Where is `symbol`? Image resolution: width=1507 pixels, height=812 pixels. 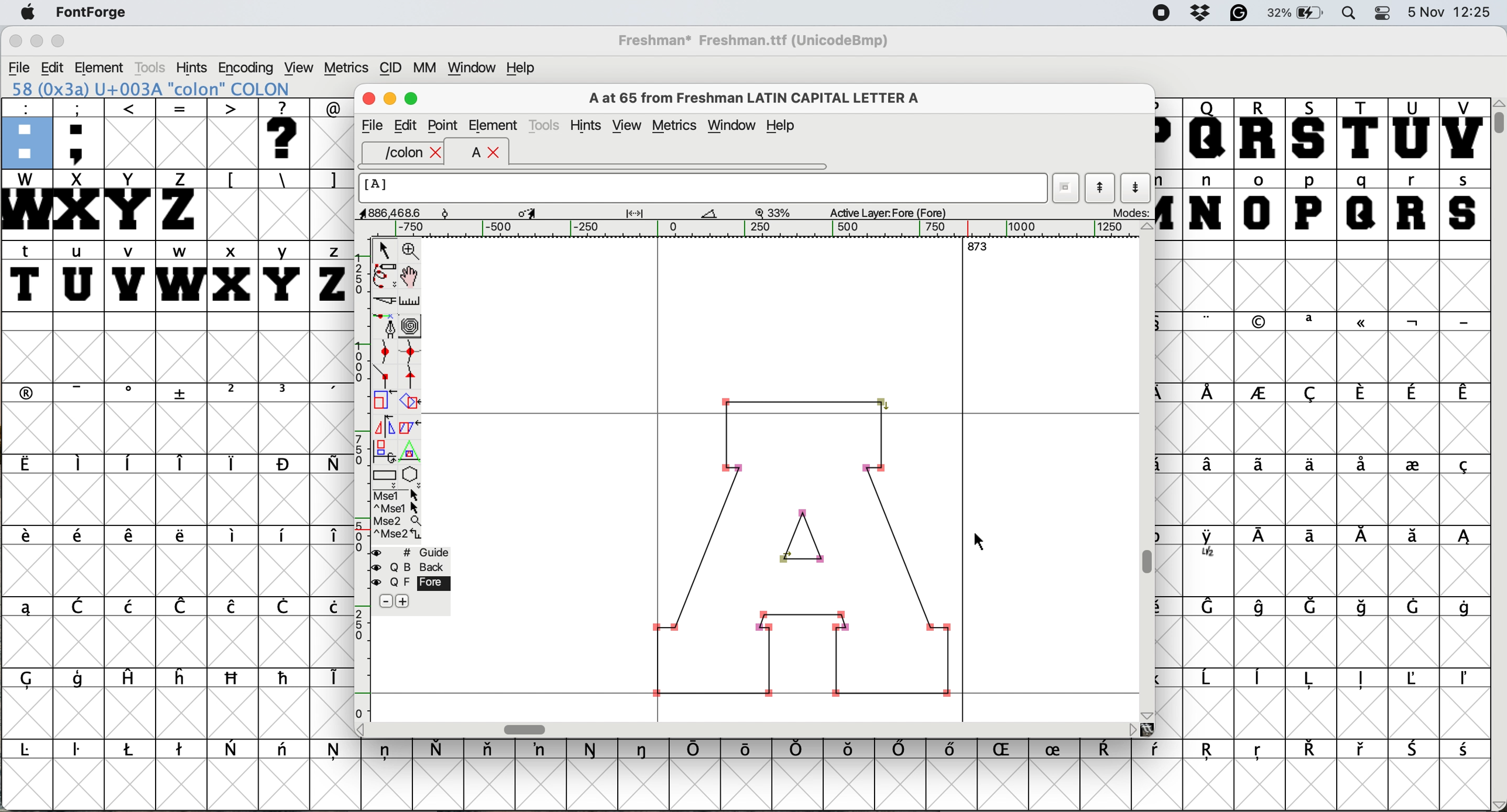 symbol is located at coordinates (1059, 748).